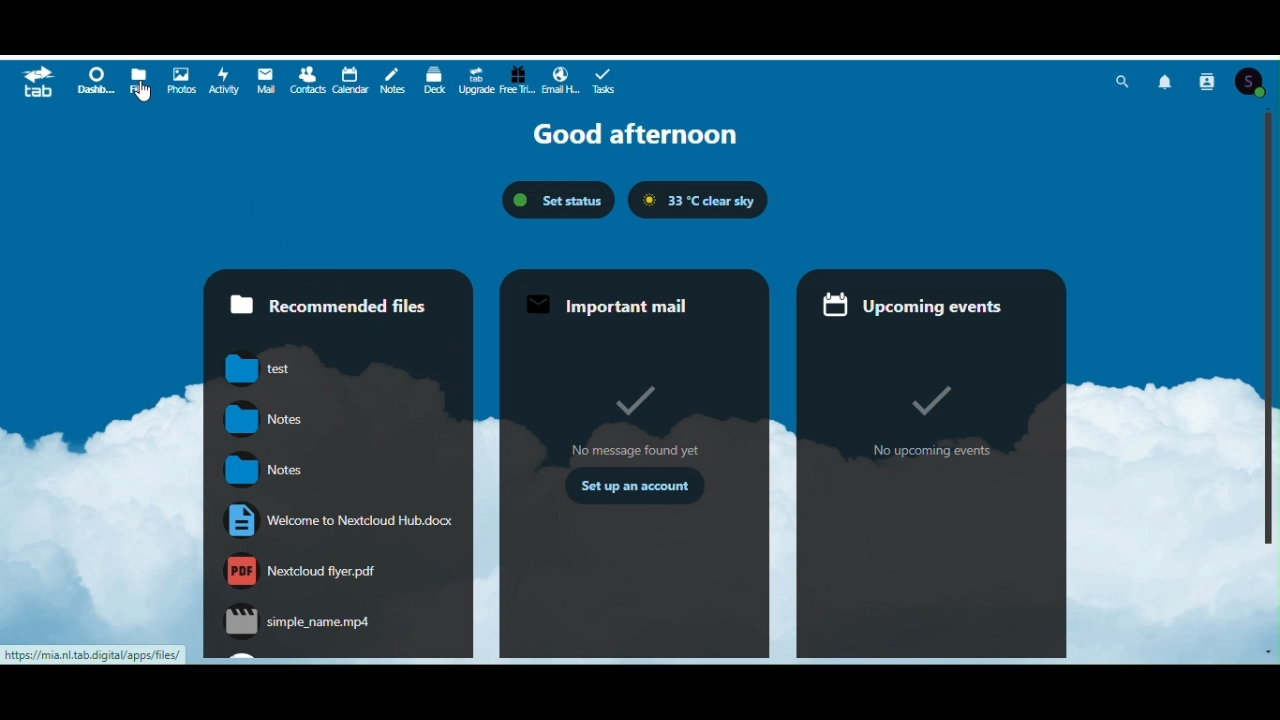 The height and width of the screenshot is (720, 1280). Describe the element at coordinates (392, 79) in the screenshot. I see `Notes ` at that location.